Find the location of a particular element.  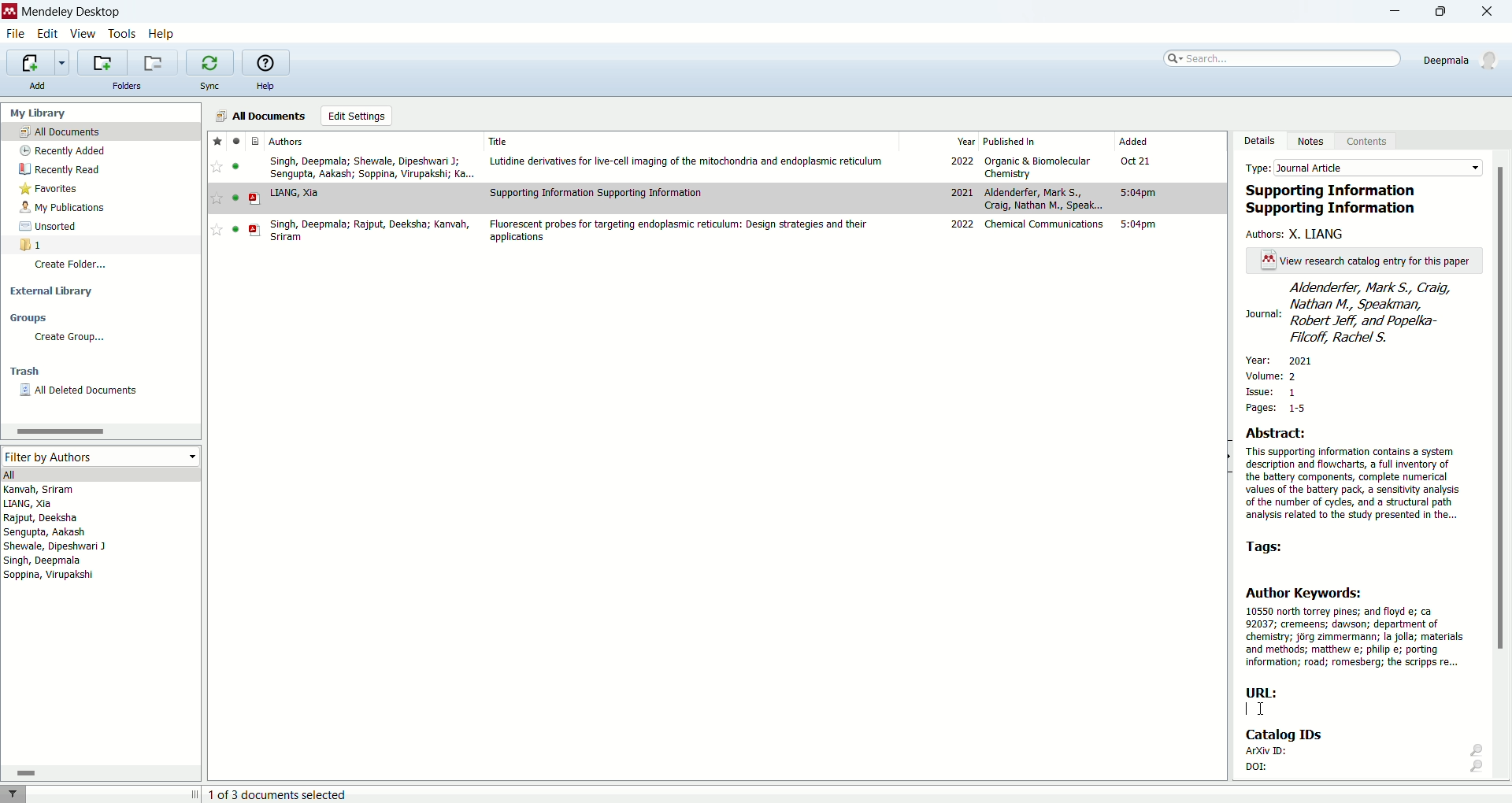

authors is located at coordinates (287, 141).